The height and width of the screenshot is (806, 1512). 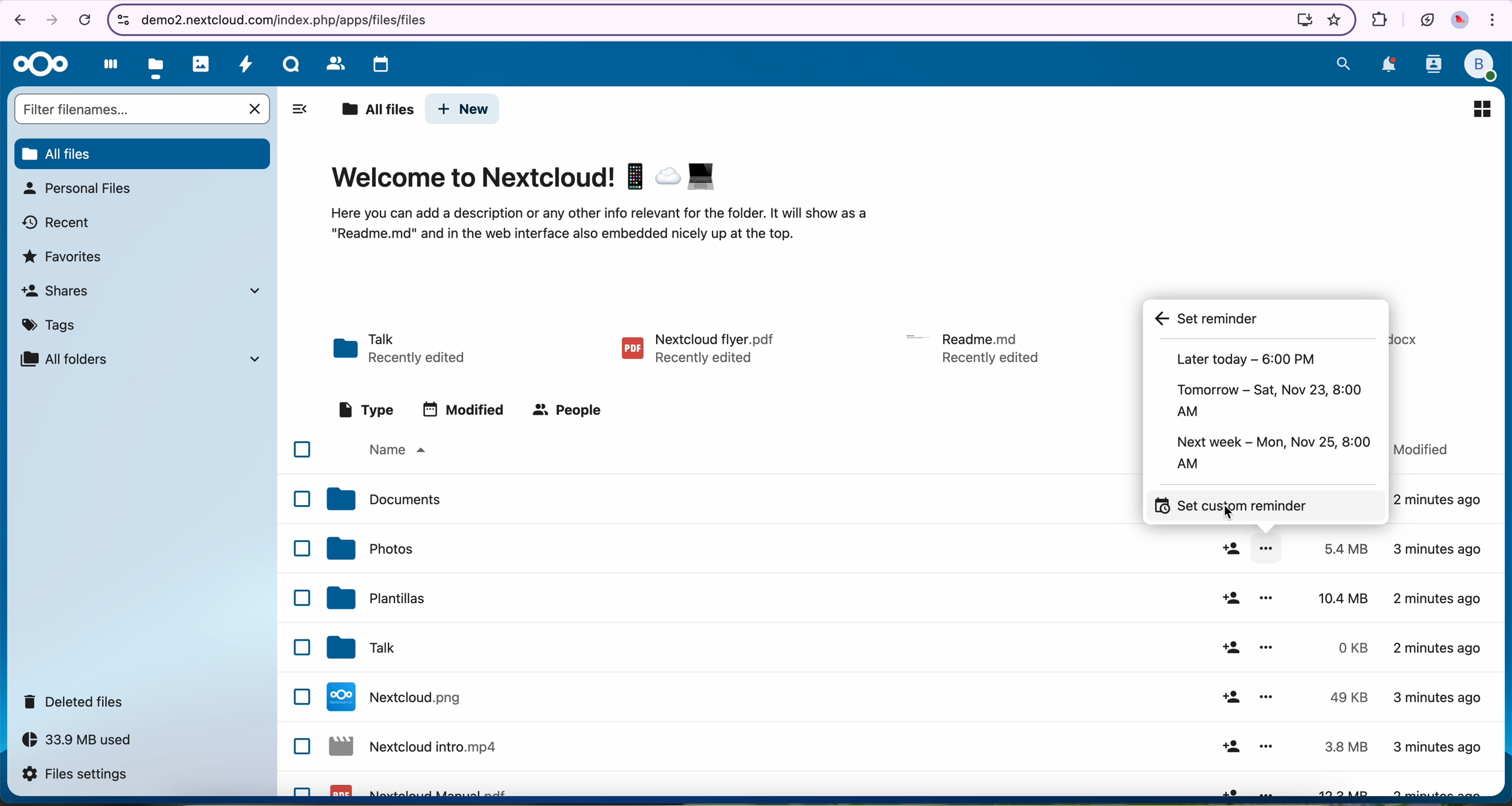 I want to click on 5.4, so click(x=1351, y=548).